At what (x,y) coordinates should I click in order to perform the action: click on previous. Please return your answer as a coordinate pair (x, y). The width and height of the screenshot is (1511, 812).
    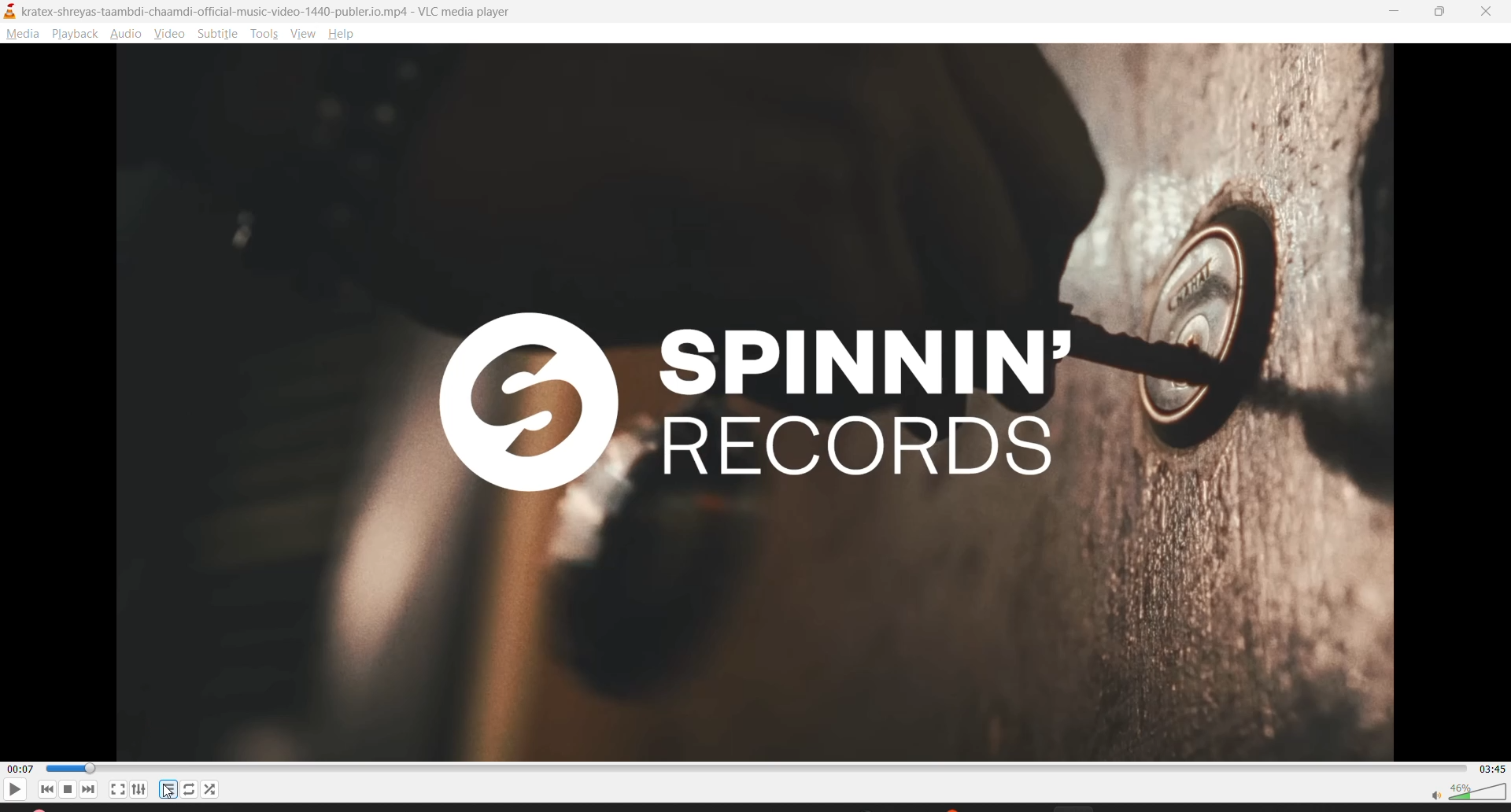
    Looking at the image, I should click on (43, 789).